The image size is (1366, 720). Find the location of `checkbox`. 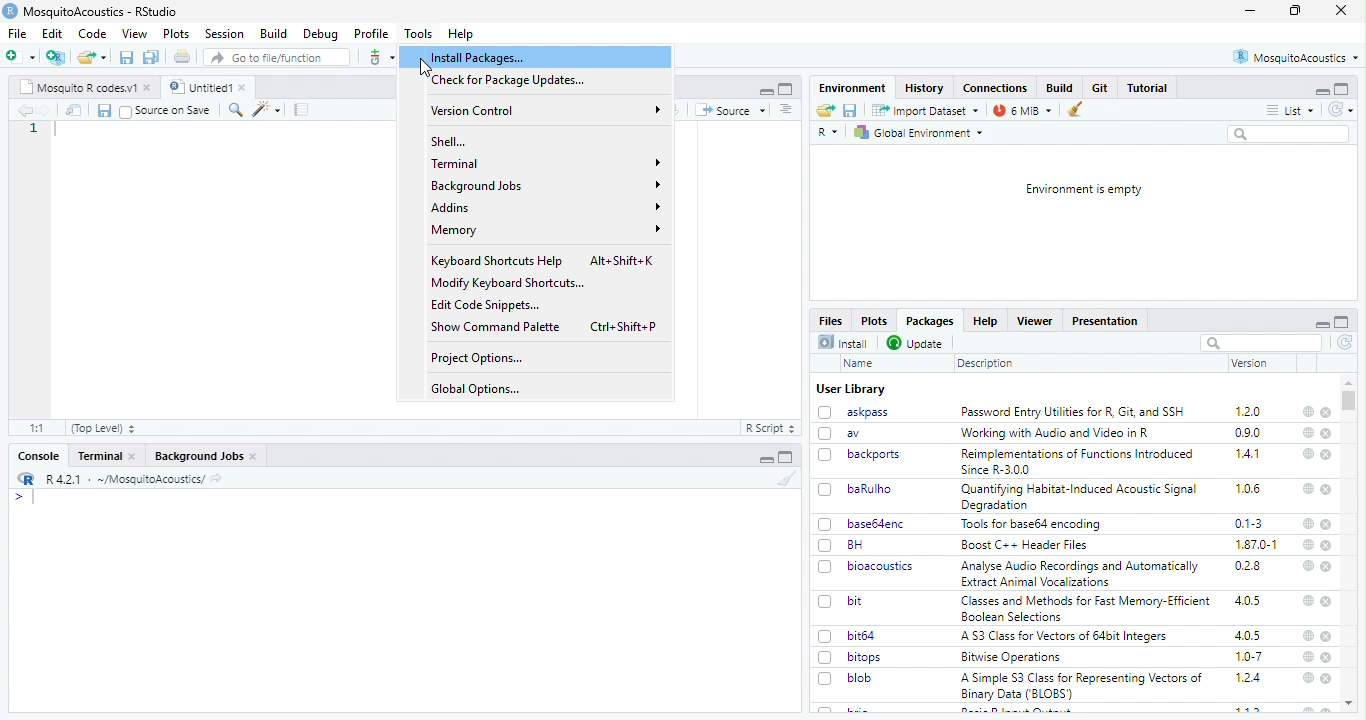

checkbox is located at coordinates (825, 413).